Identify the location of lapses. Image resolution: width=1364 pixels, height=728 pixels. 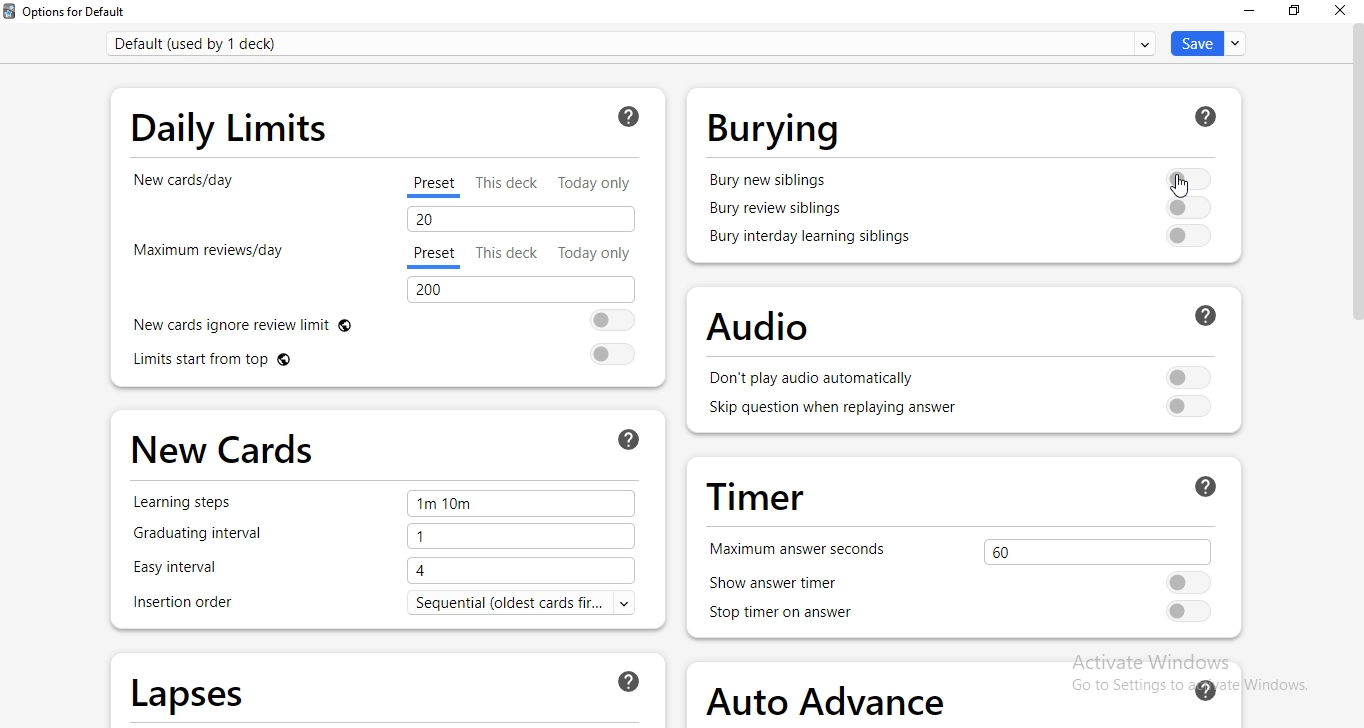
(189, 689).